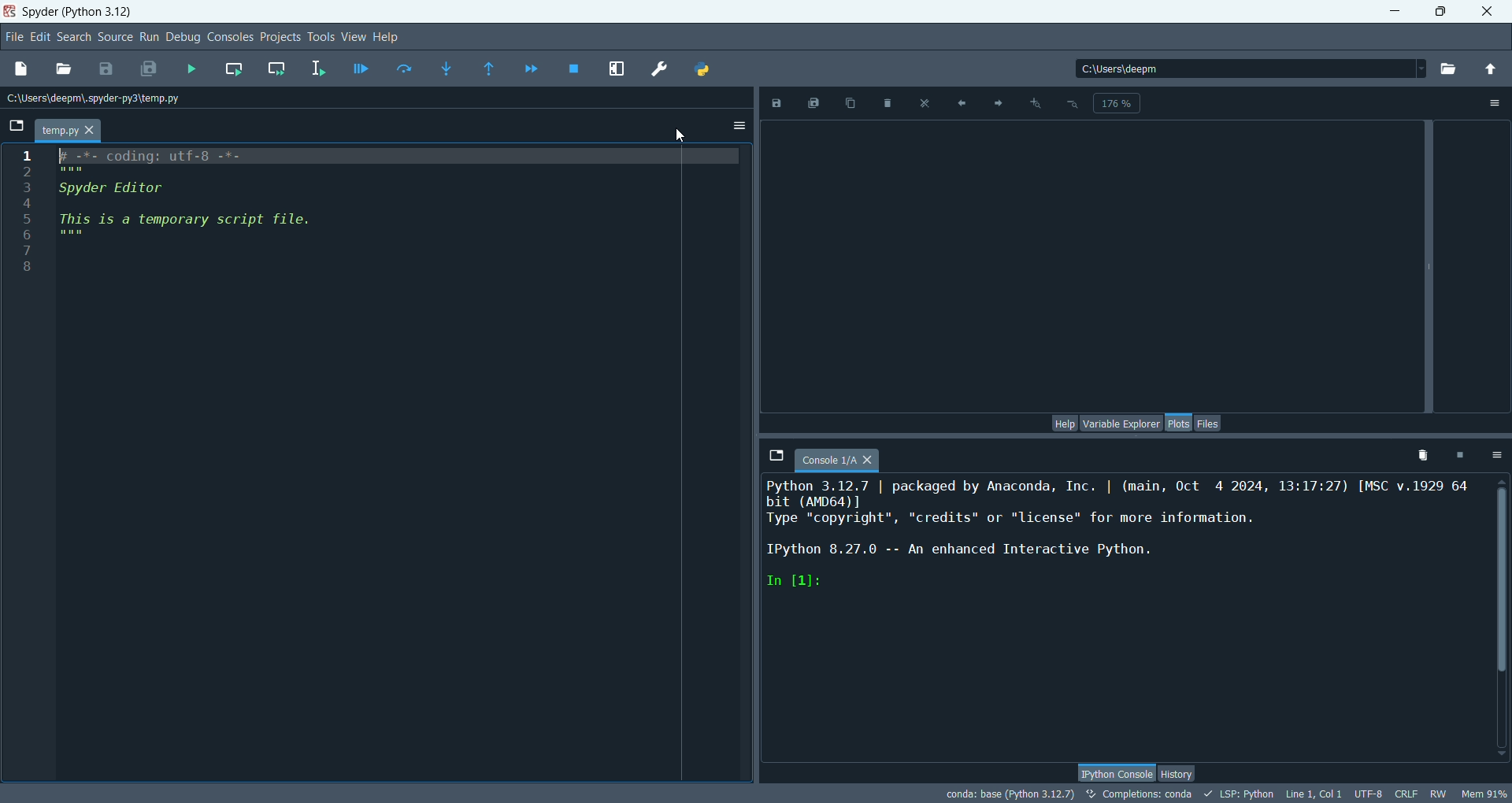  Describe the element at coordinates (151, 37) in the screenshot. I see `run` at that location.